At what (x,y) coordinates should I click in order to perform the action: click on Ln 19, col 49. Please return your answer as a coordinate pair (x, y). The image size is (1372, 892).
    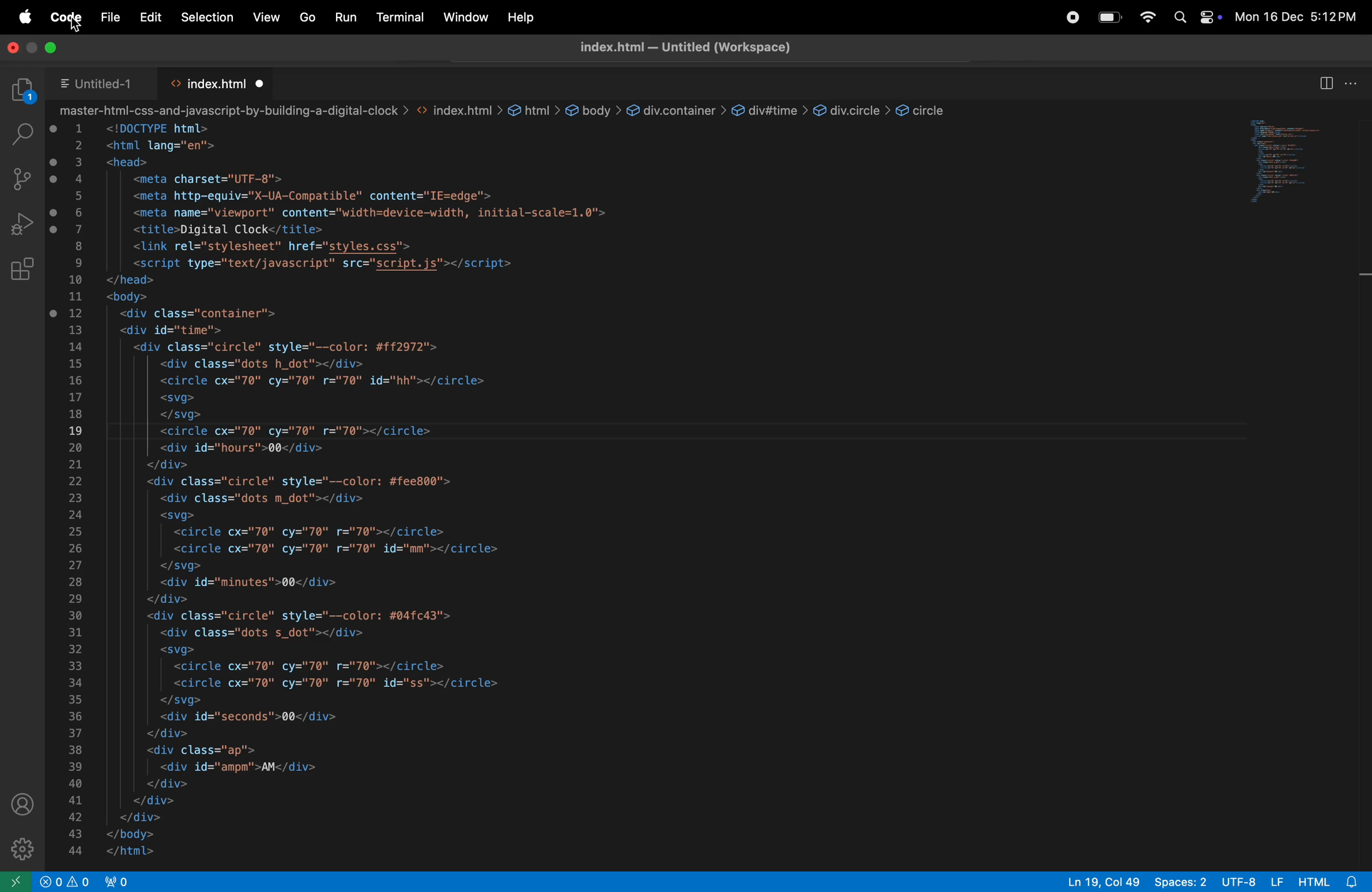
    Looking at the image, I should click on (1104, 882).